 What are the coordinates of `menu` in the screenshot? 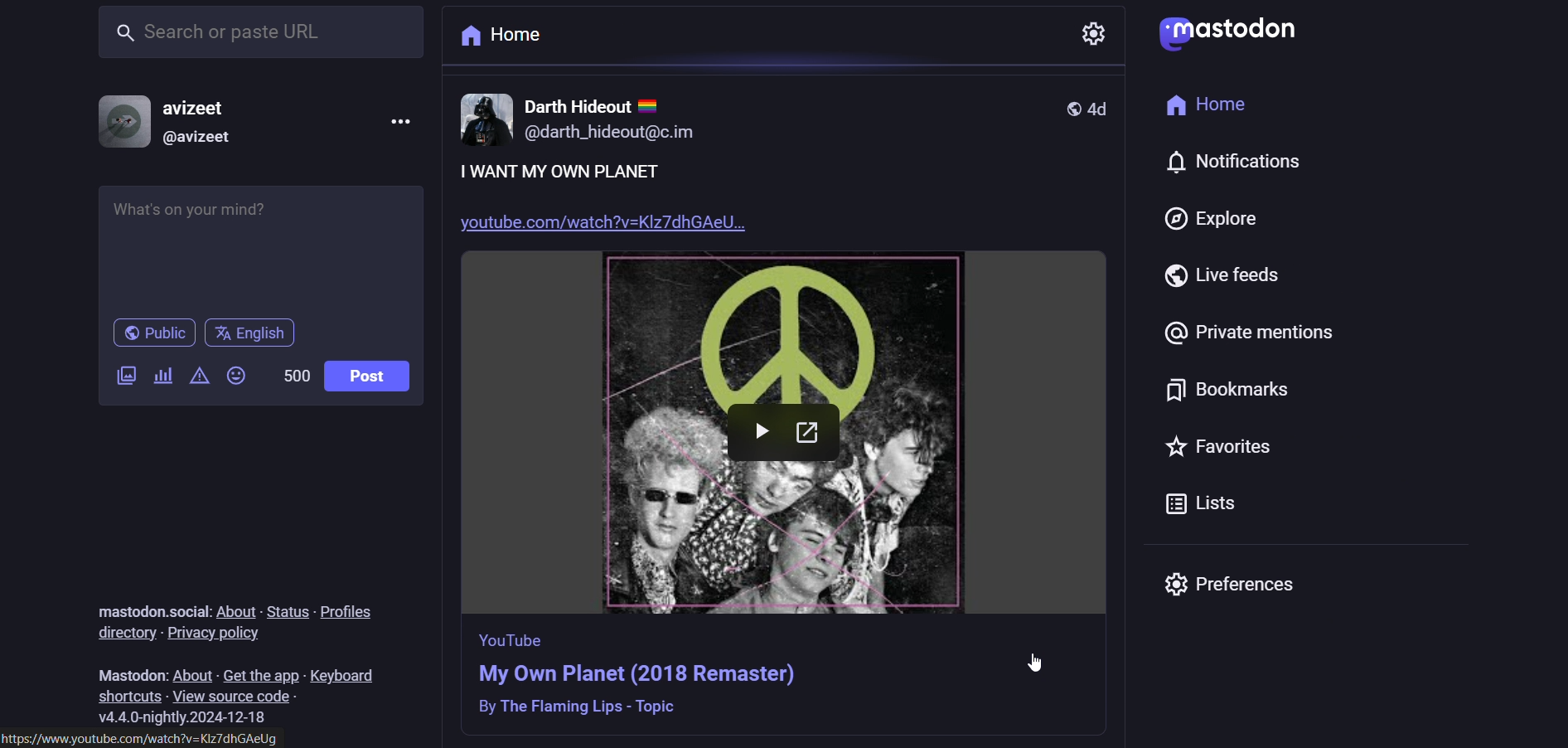 It's located at (403, 119).